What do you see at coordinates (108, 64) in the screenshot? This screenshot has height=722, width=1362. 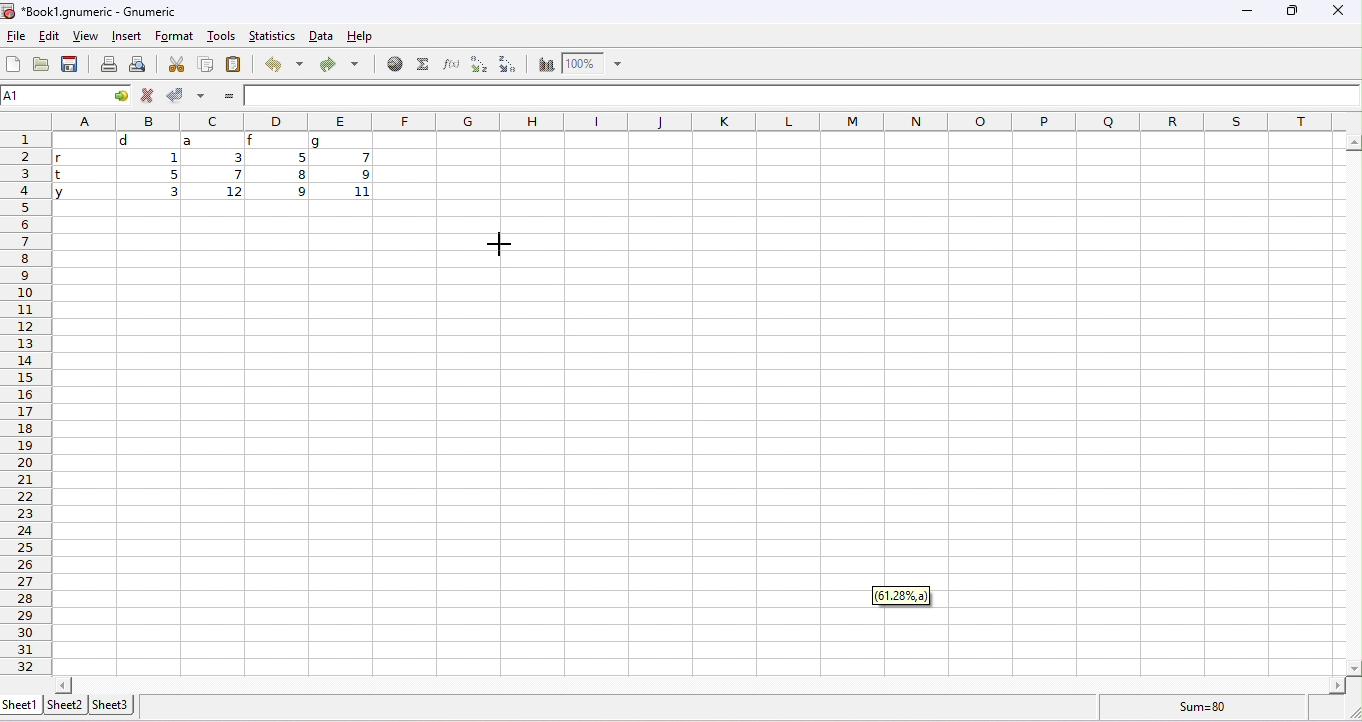 I see `print` at bounding box center [108, 64].